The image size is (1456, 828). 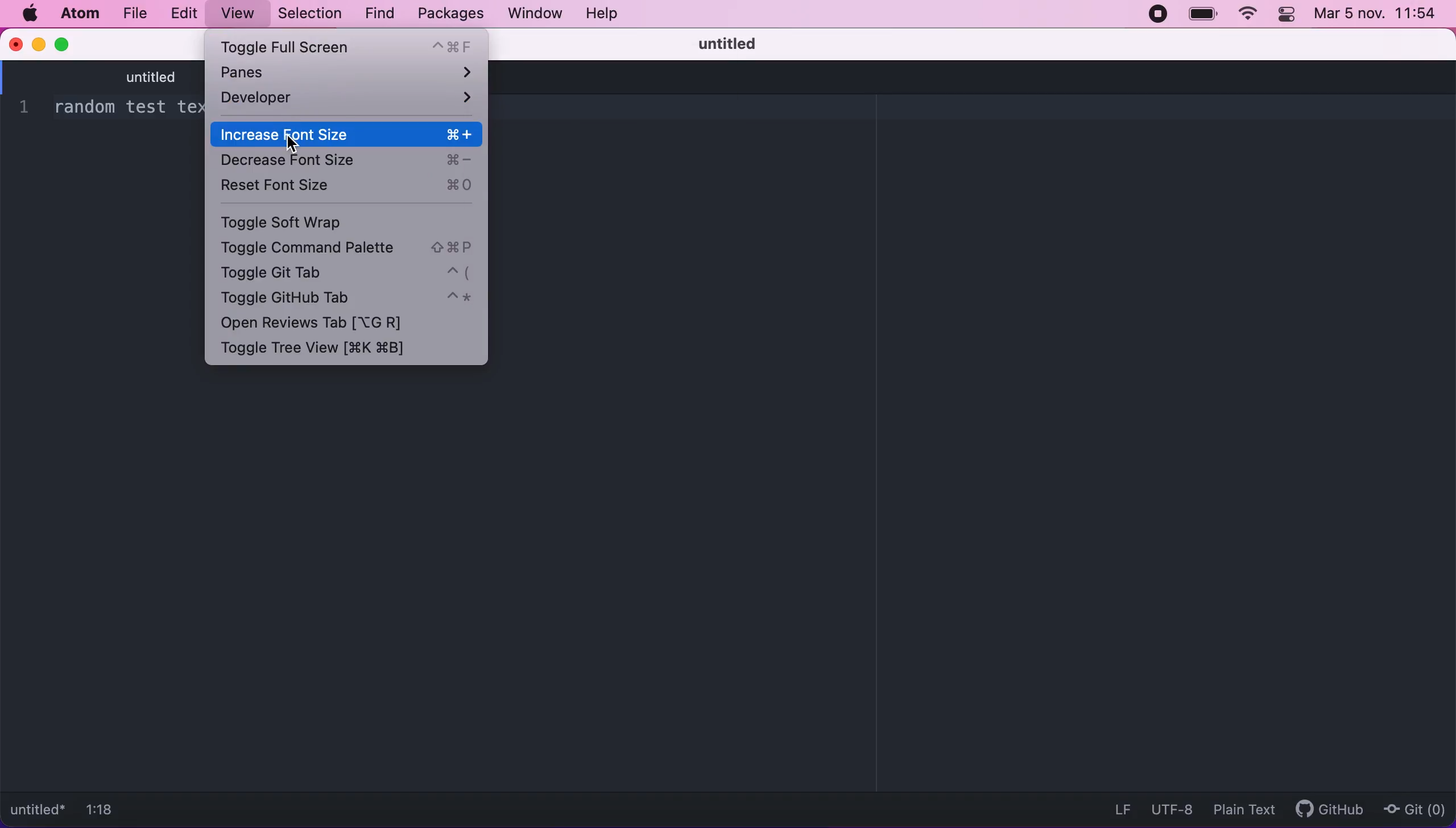 I want to click on mac logo, so click(x=29, y=14).